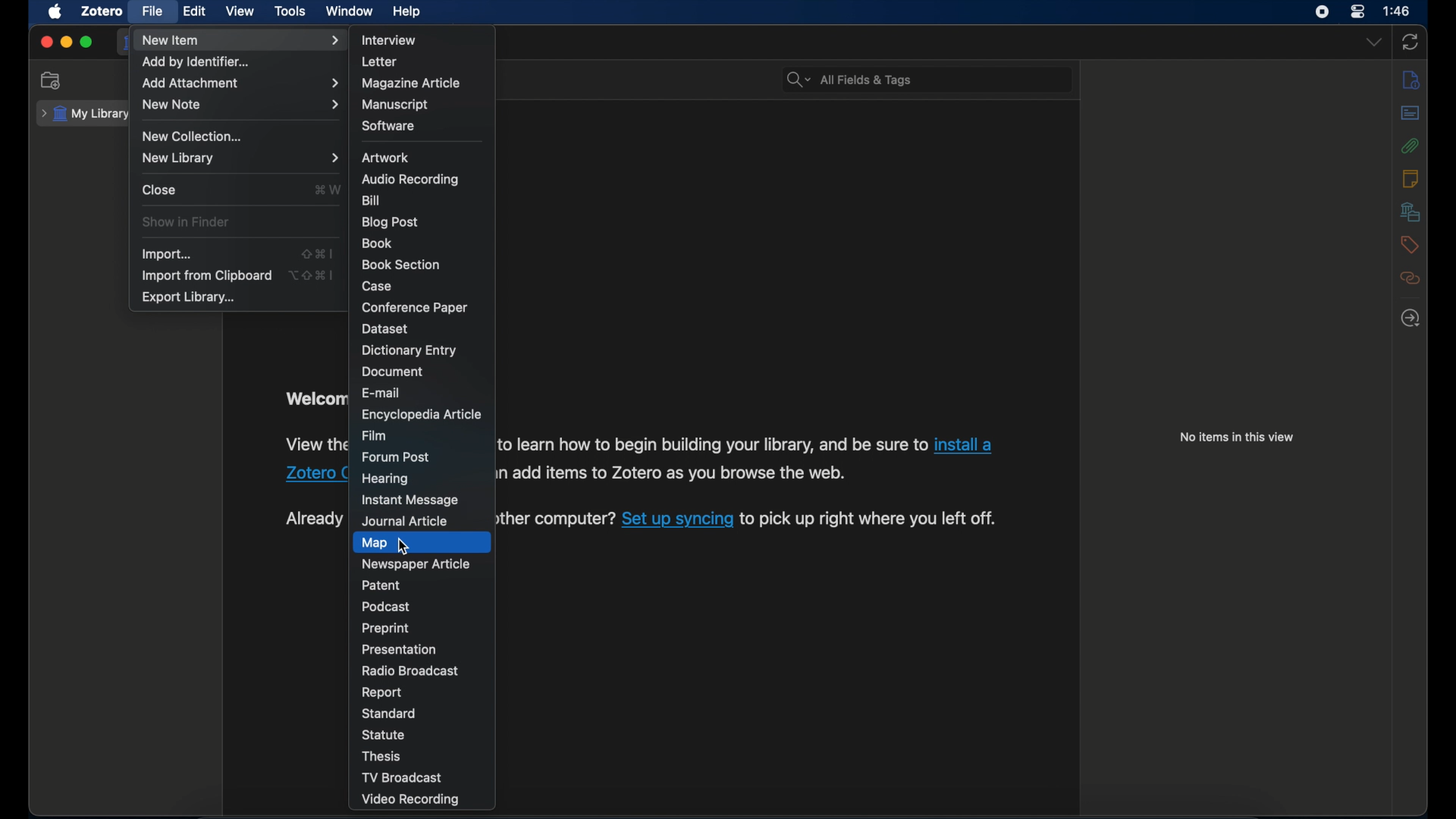  What do you see at coordinates (102, 11) in the screenshot?
I see `zotero` at bounding box center [102, 11].